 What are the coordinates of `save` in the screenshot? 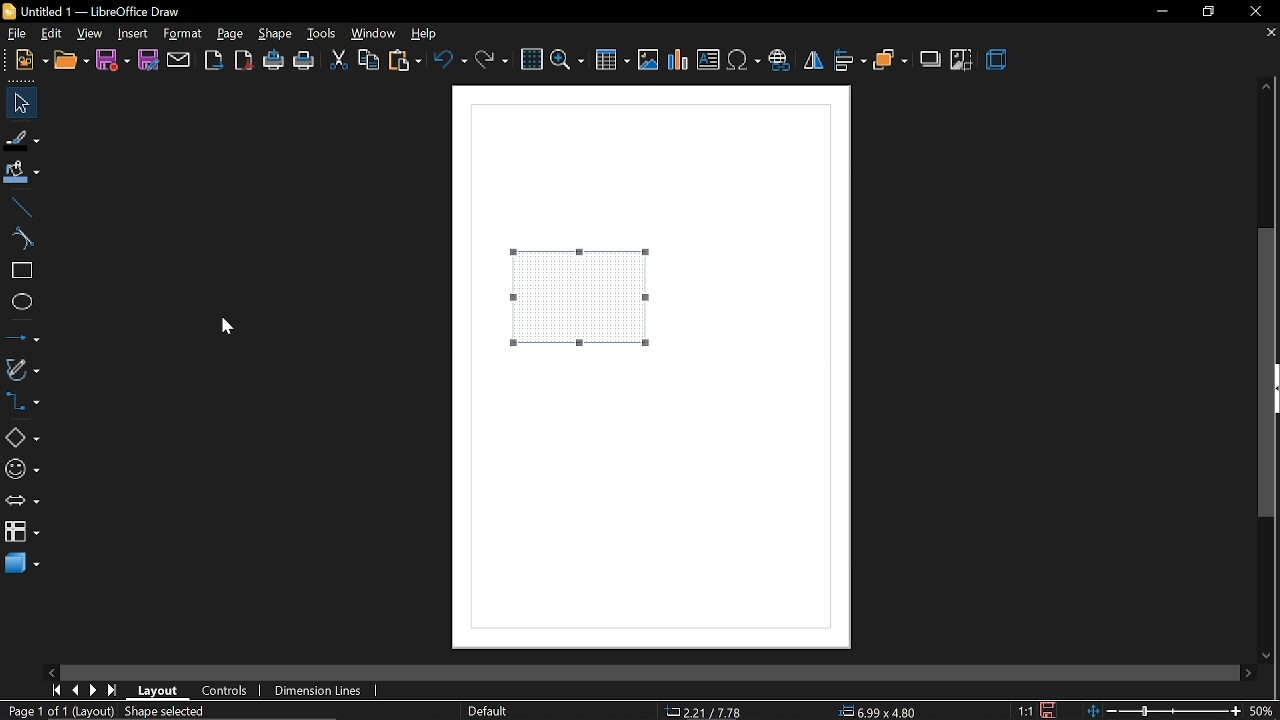 It's located at (112, 59).